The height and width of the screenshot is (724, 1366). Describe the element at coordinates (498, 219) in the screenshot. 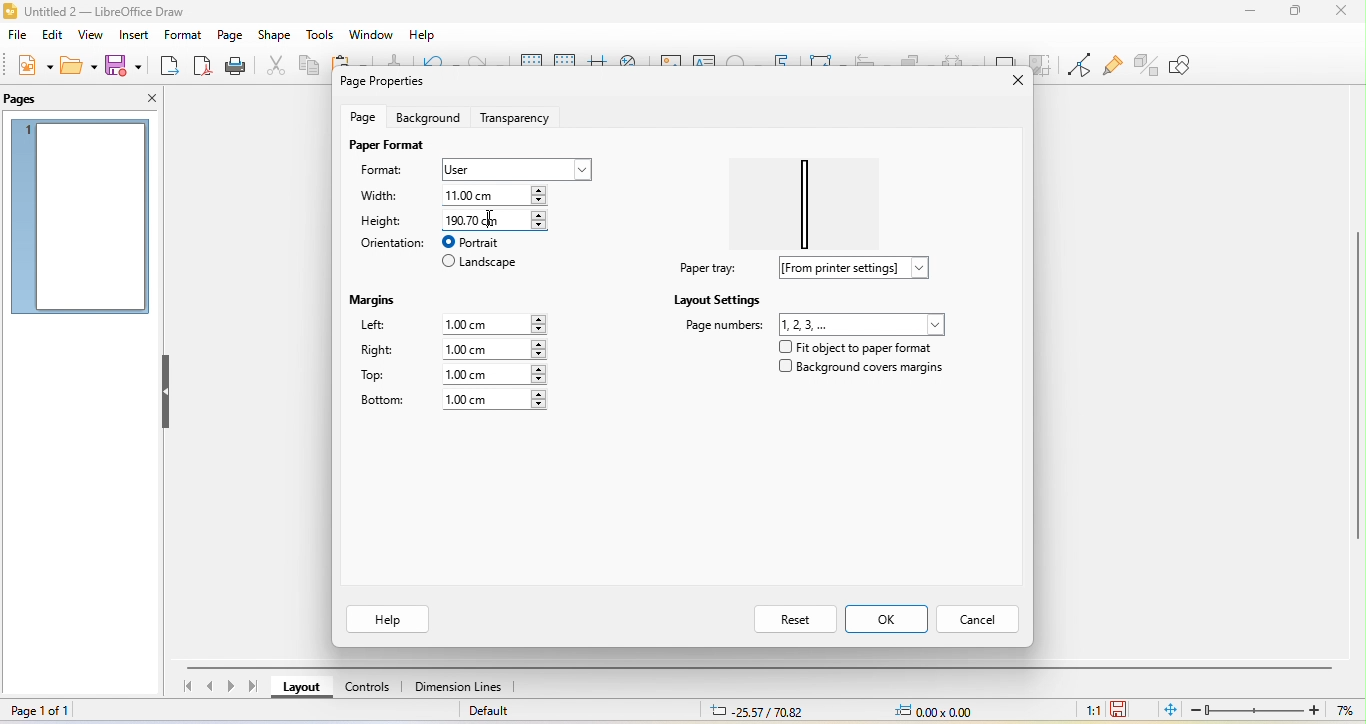

I see `cursor movement` at that location.